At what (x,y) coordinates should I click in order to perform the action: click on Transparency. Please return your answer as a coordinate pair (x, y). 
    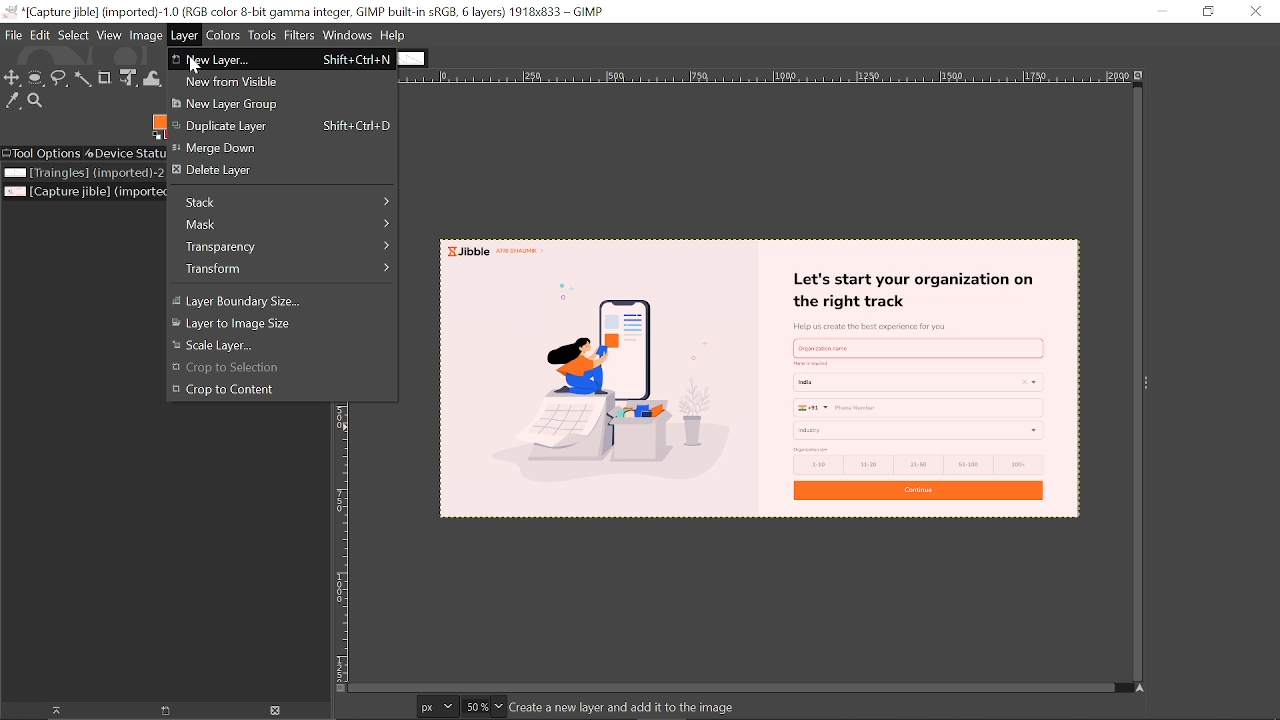
    Looking at the image, I should click on (285, 247).